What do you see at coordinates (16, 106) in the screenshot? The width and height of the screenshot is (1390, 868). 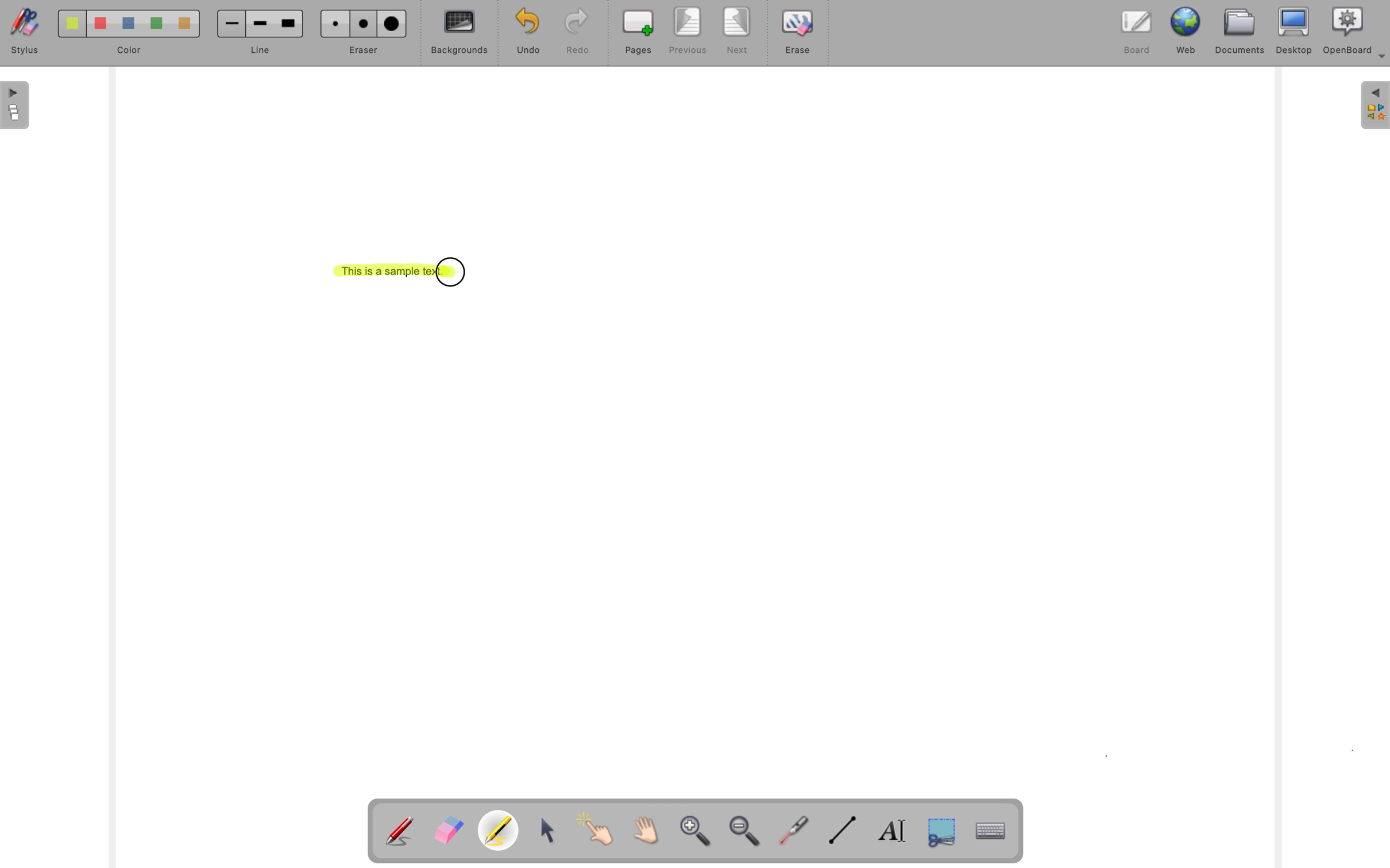 I see `The flatplan (left panel)` at bounding box center [16, 106].